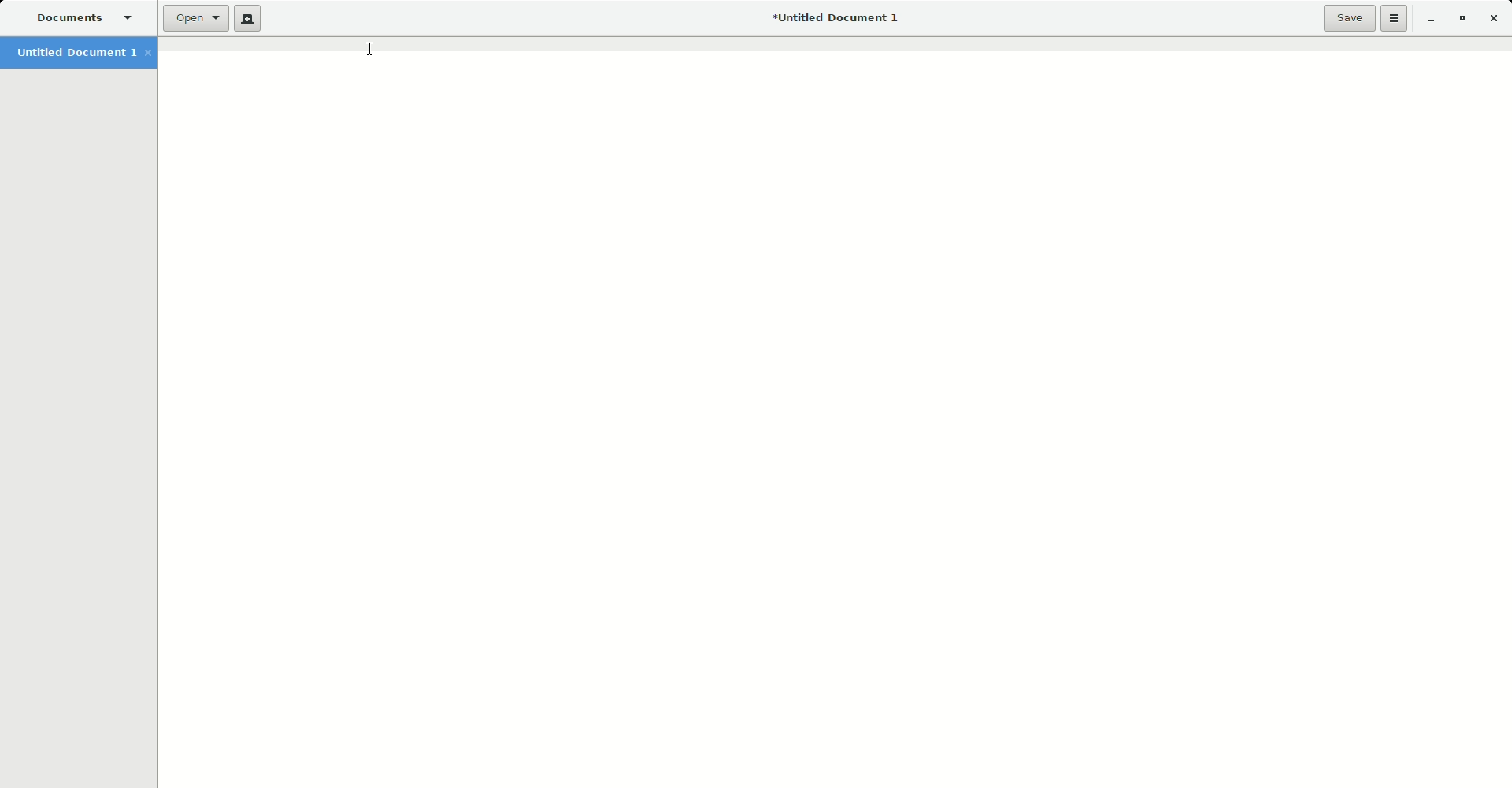 The image size is (1512, 788). What do you see at coordinates (83, 54) in the screenshot?
I see `Untitled Document 1` at bounding box center [83, 54].